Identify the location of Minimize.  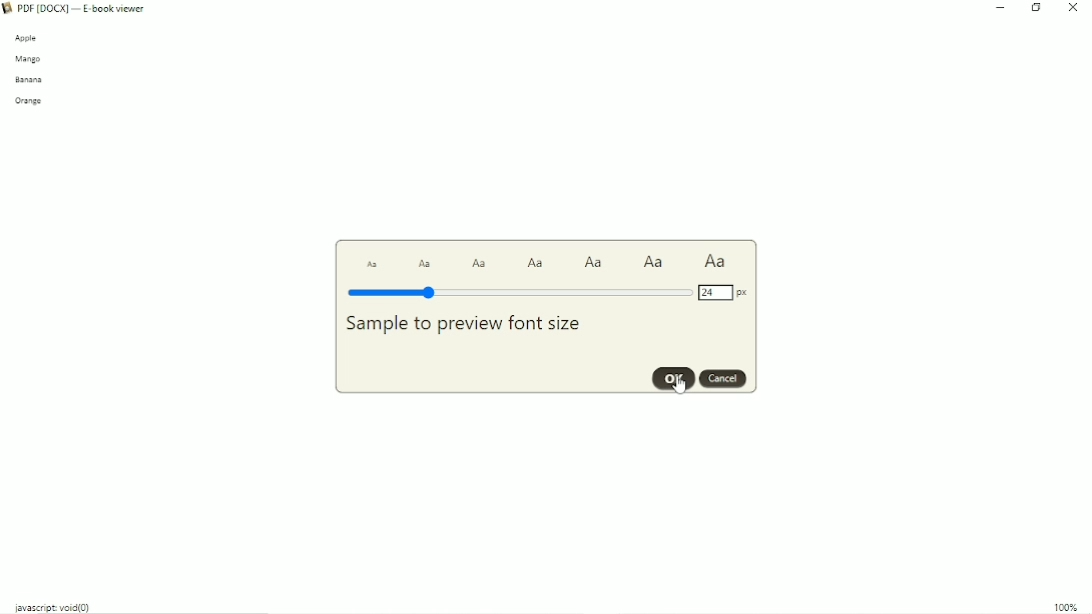
(1001, 9).